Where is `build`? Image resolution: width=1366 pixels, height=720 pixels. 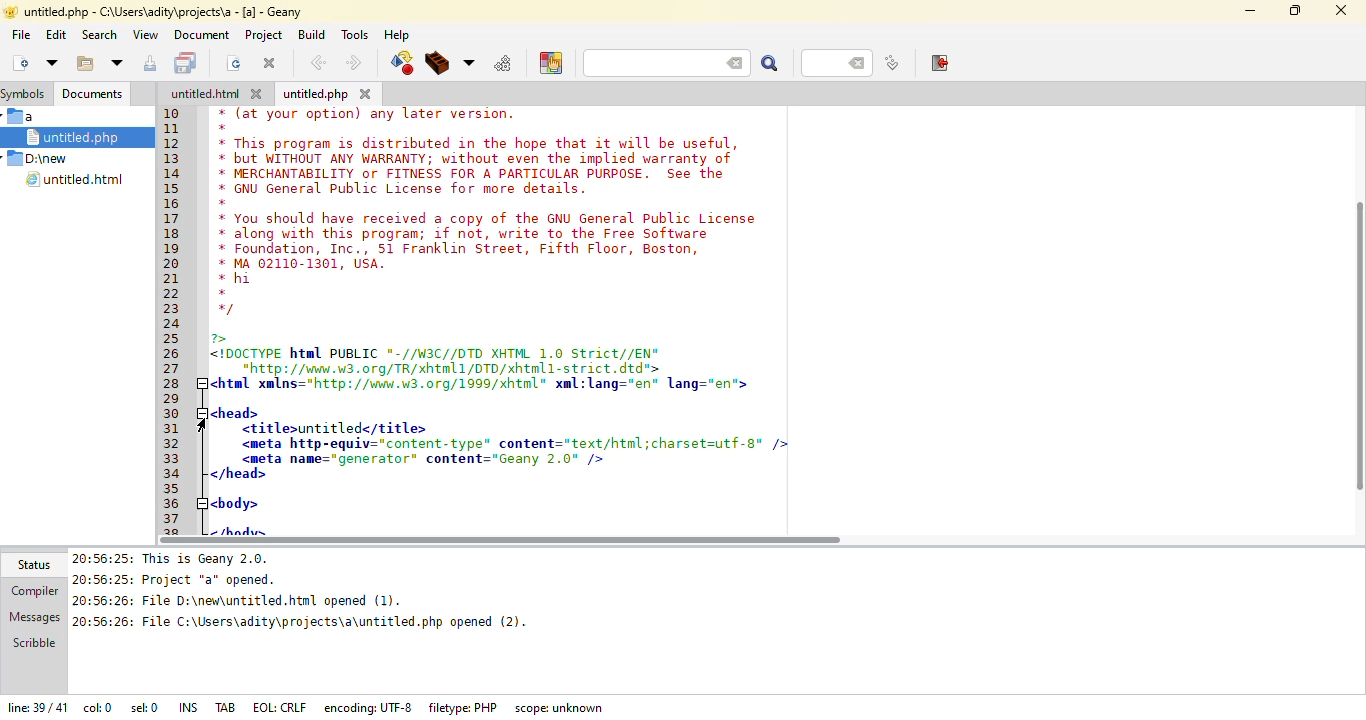 build is located at coordinates (437, 63).